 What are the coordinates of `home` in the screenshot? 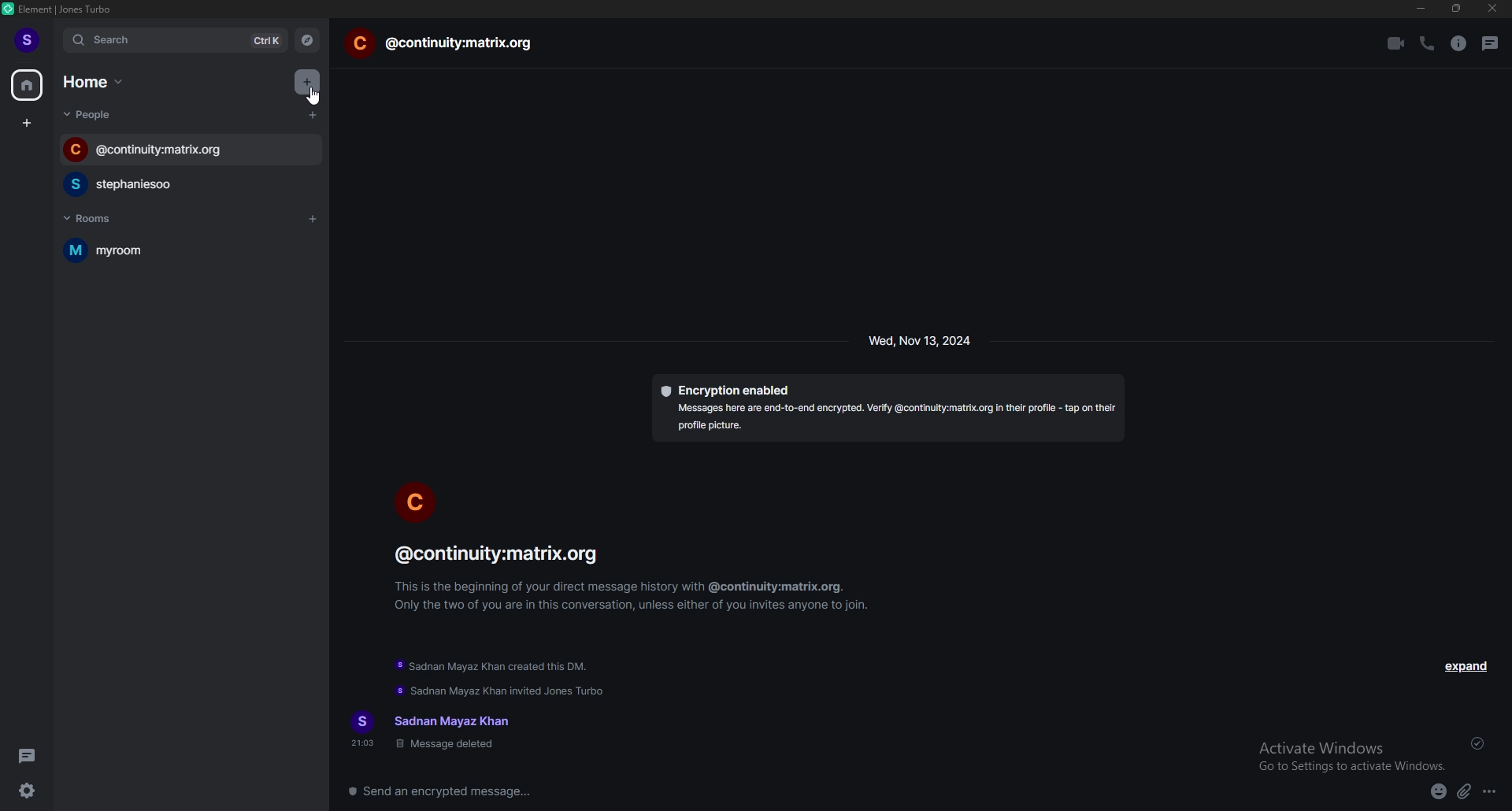 It's located at (28, 84).